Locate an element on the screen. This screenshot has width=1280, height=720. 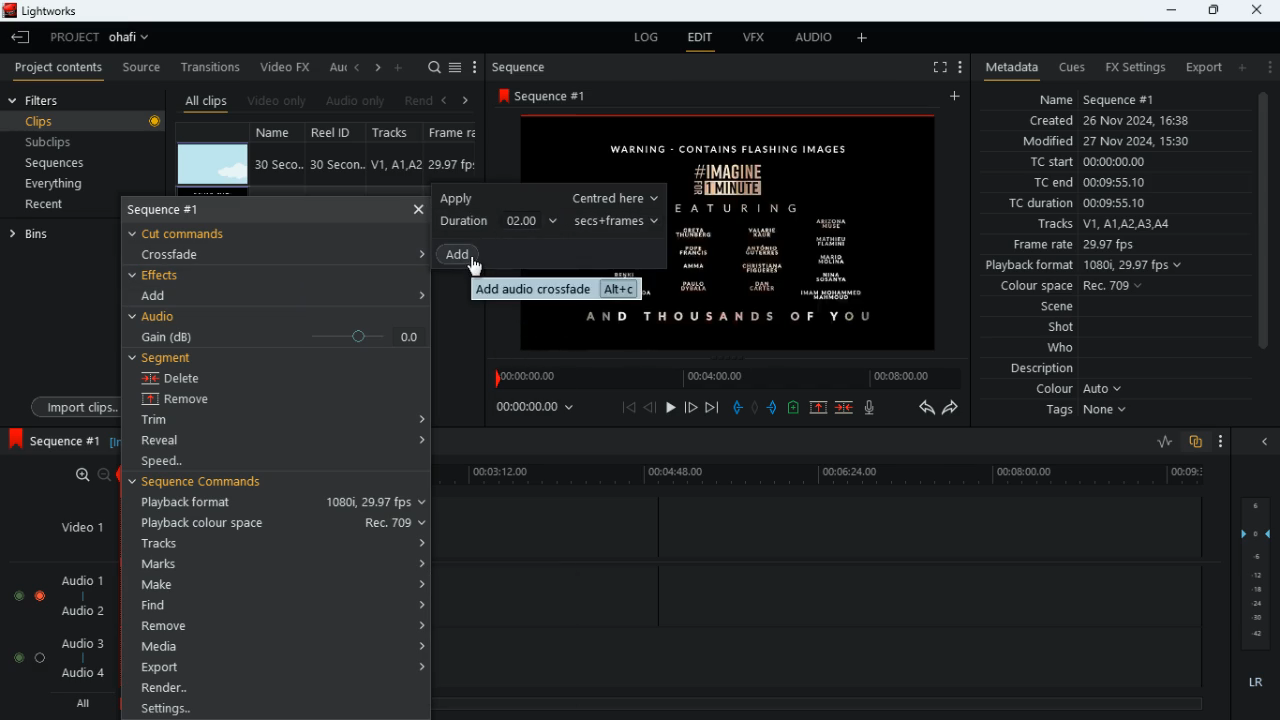
everything is located at coordinates (51, 185).